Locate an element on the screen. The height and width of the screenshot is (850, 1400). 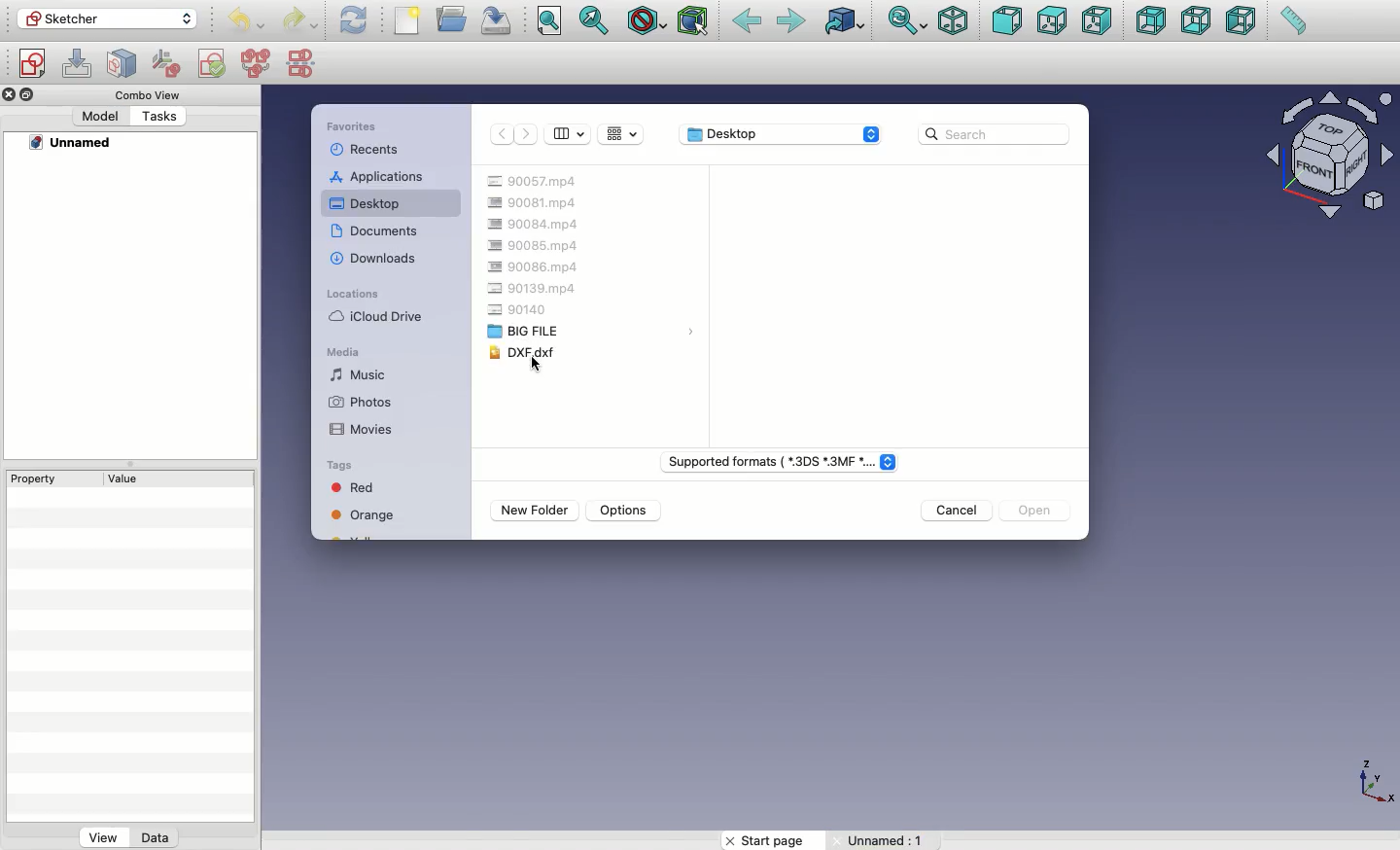
Draw style is located at coordinates (649, 22).